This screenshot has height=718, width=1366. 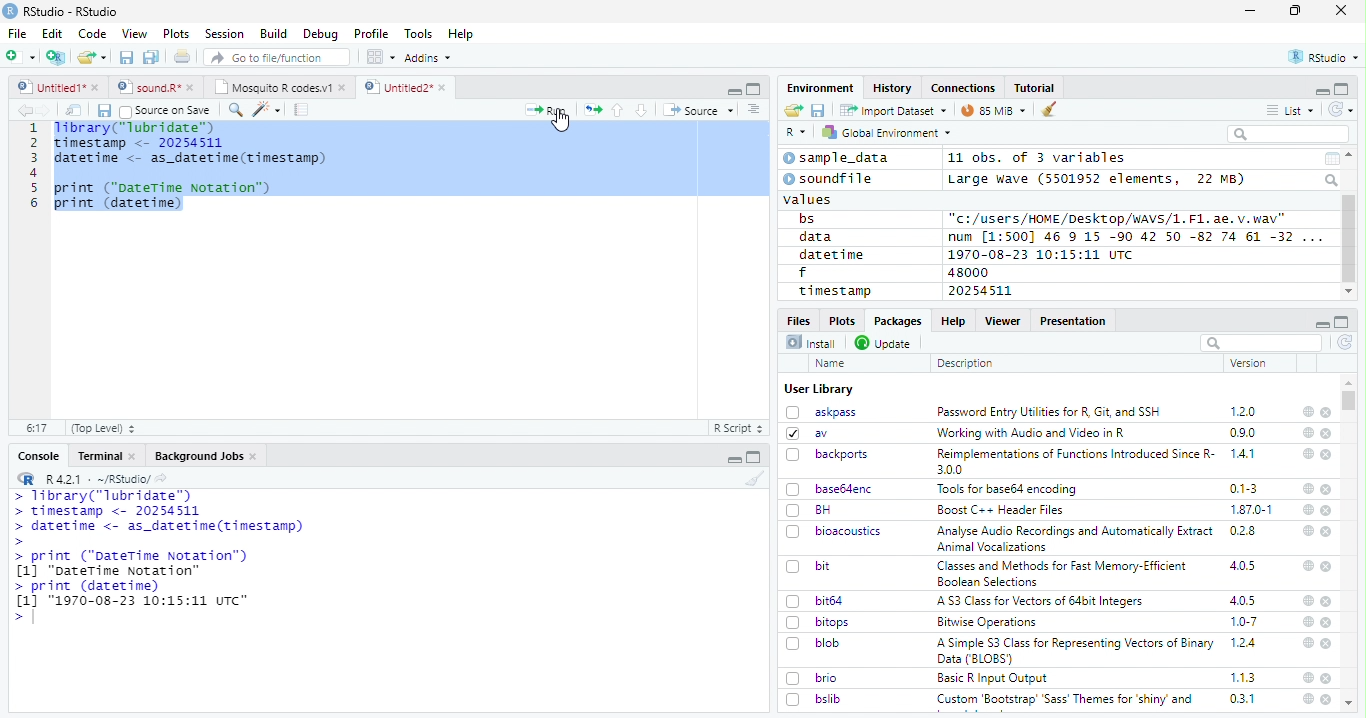 What do you see at coordinates (1003, 320) in the screenshot?
I see `Viewer` at bounding box center [1003, 320].